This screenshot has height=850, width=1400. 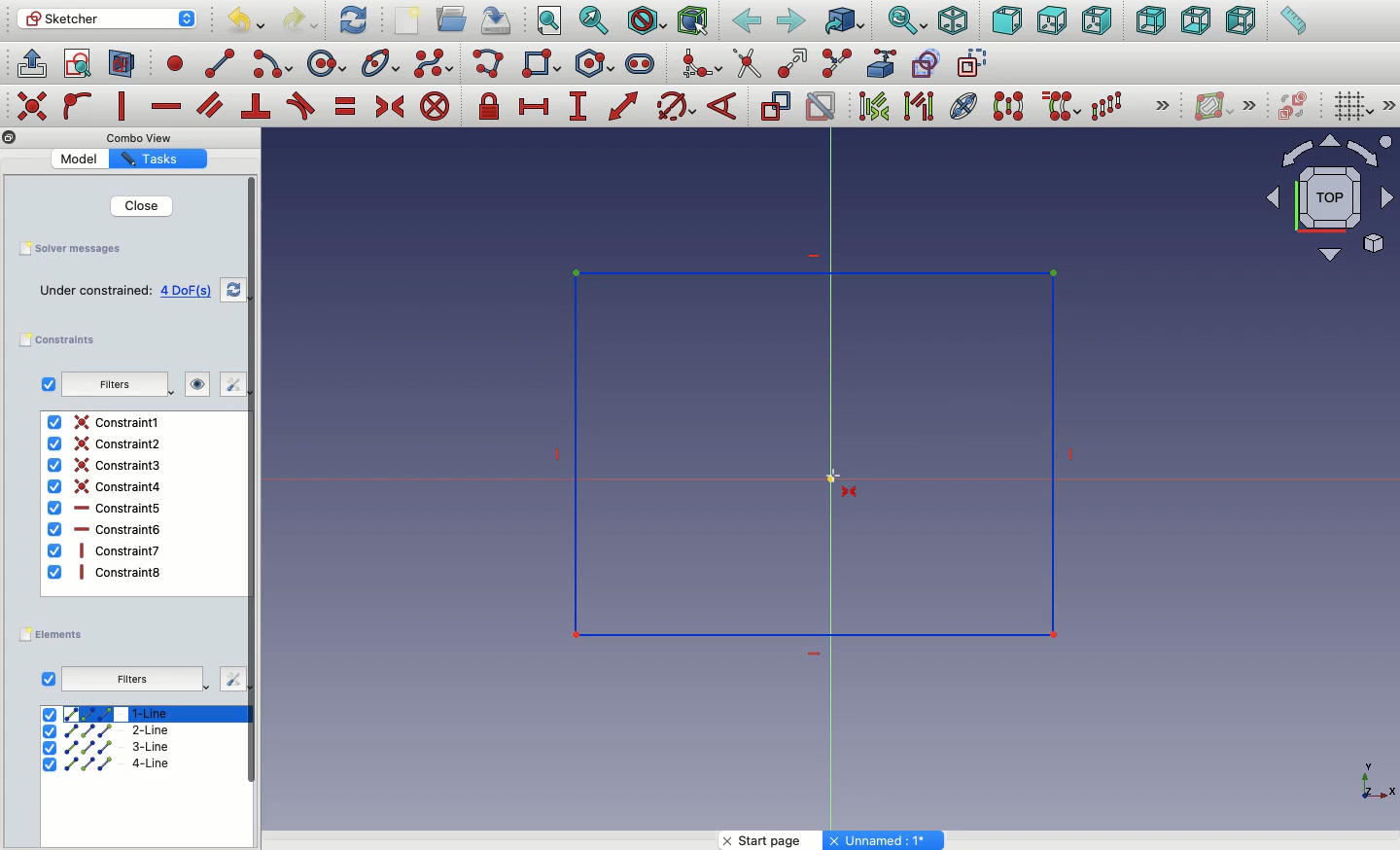 I want to click on Split edge, so click(x=836, y=64).